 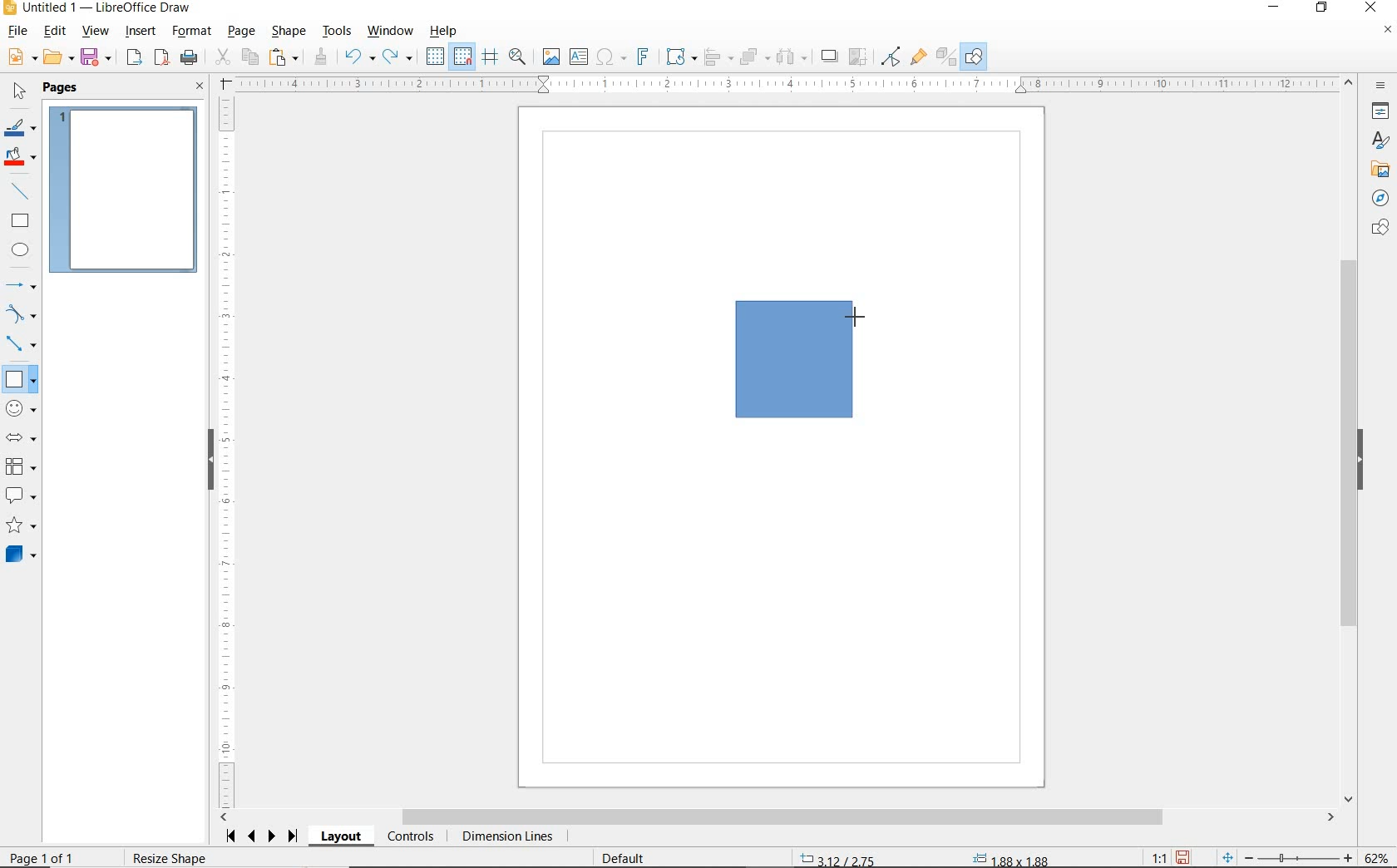 I want to click on EXPORT AS PDF, so click(x=163, y=59).